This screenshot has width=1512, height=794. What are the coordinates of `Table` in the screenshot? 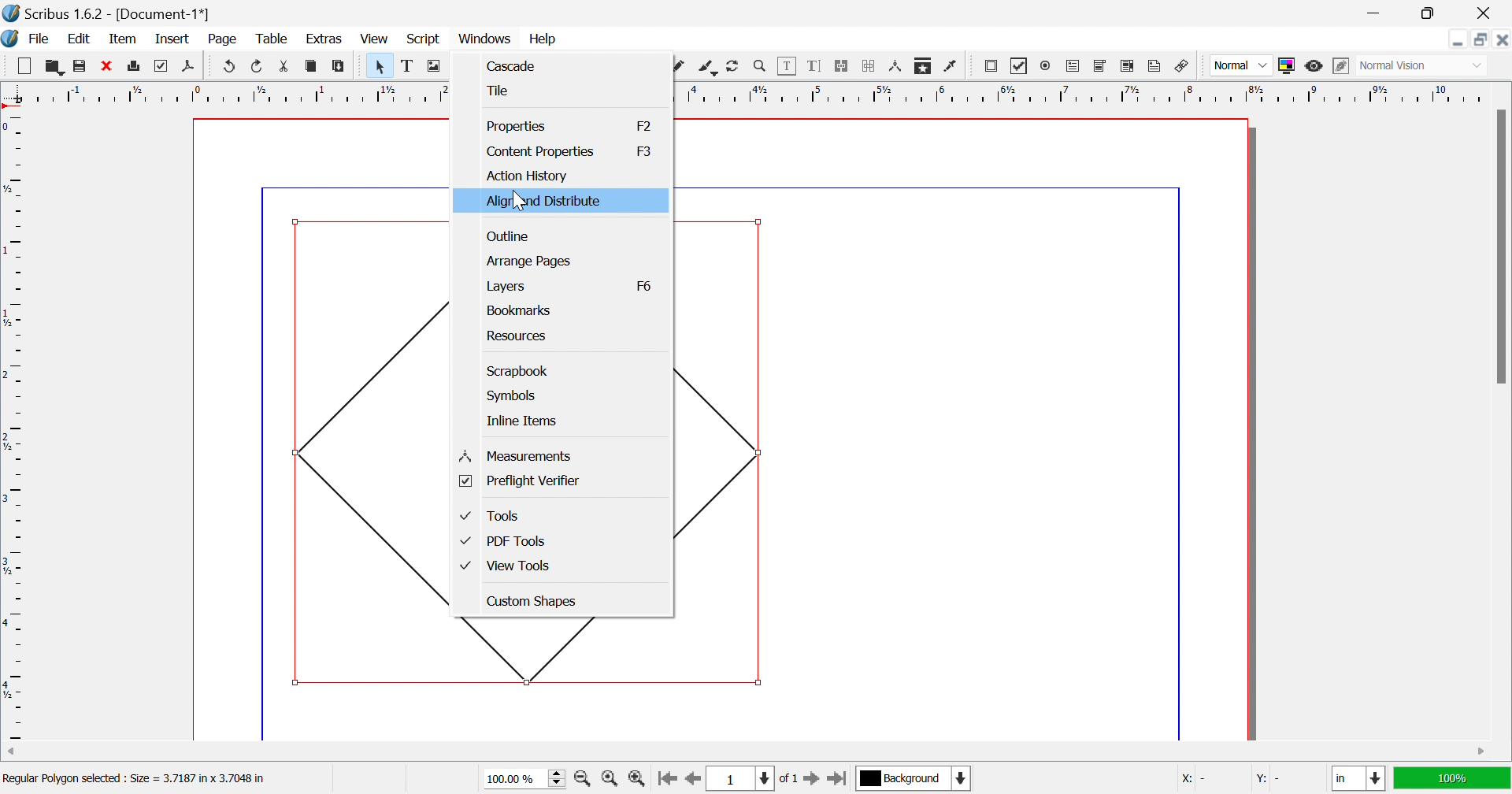 It's located at (270, 39).